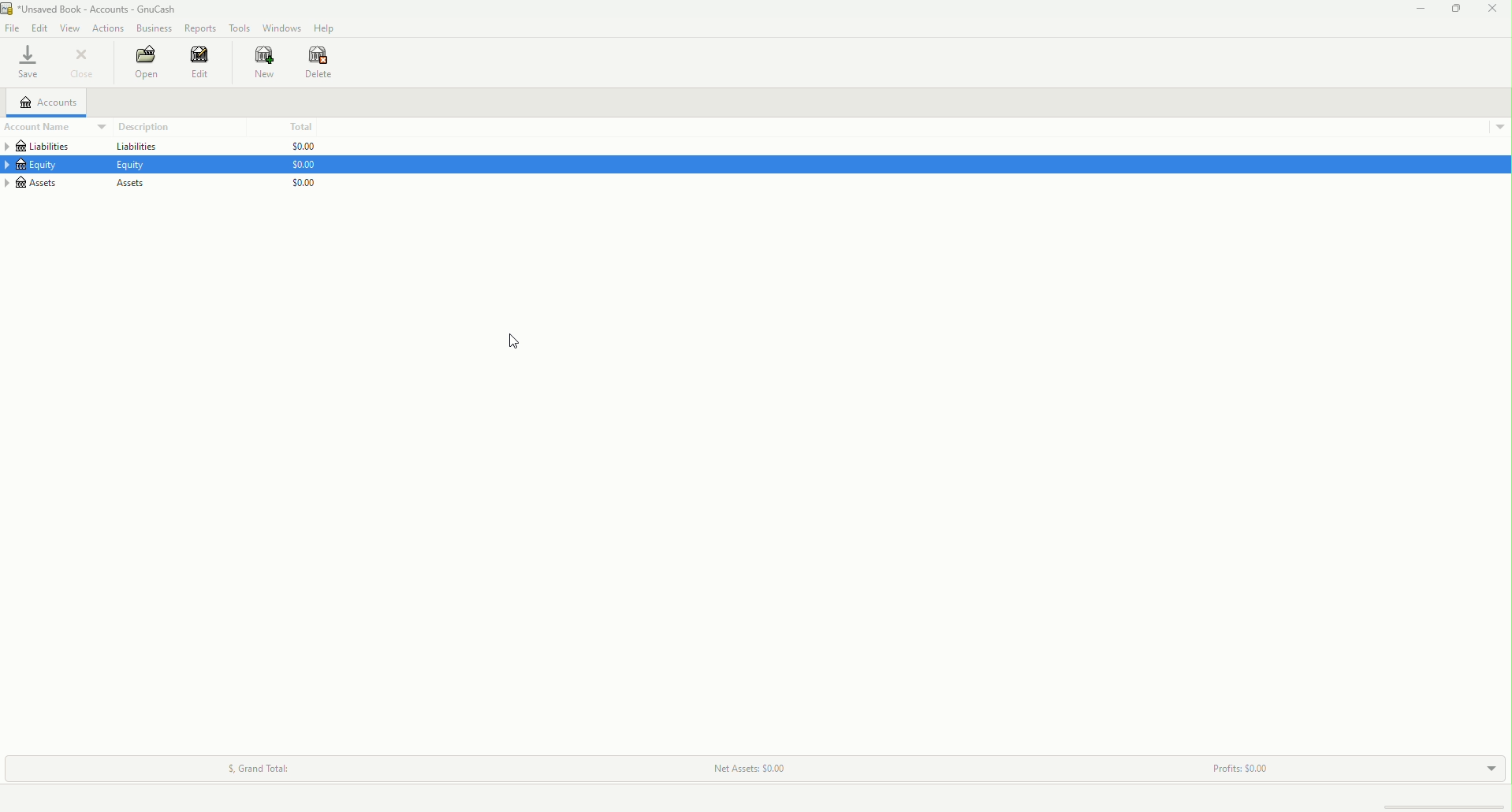 The height and width of the screenshot is (812, 1512). What do you see at coordinates (142, 63) in the screenshot?
I see `Open` at bounding box center [142, 63].